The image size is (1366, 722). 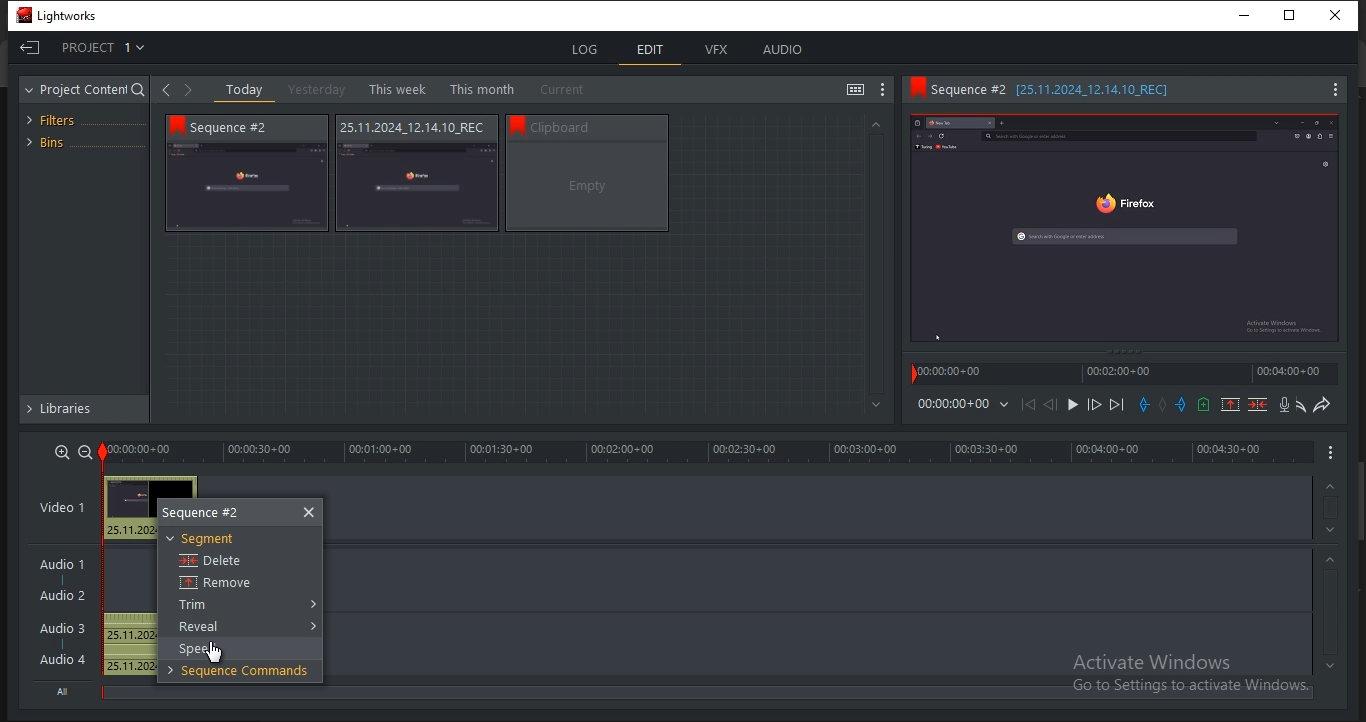 I want to click on zoom in, so click(x=62, y=453).